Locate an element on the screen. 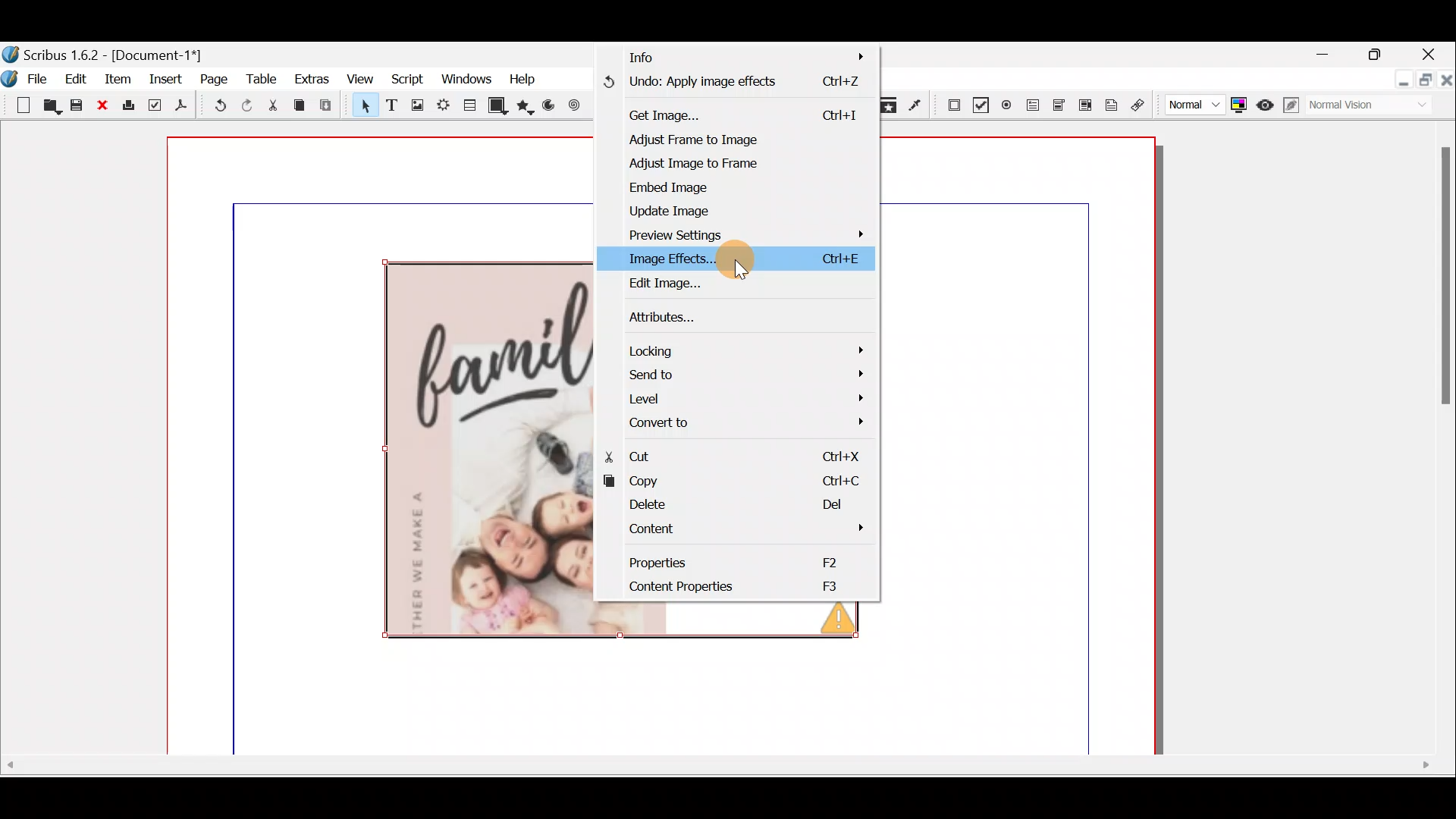  Shape is located at coordinates (501, 108).